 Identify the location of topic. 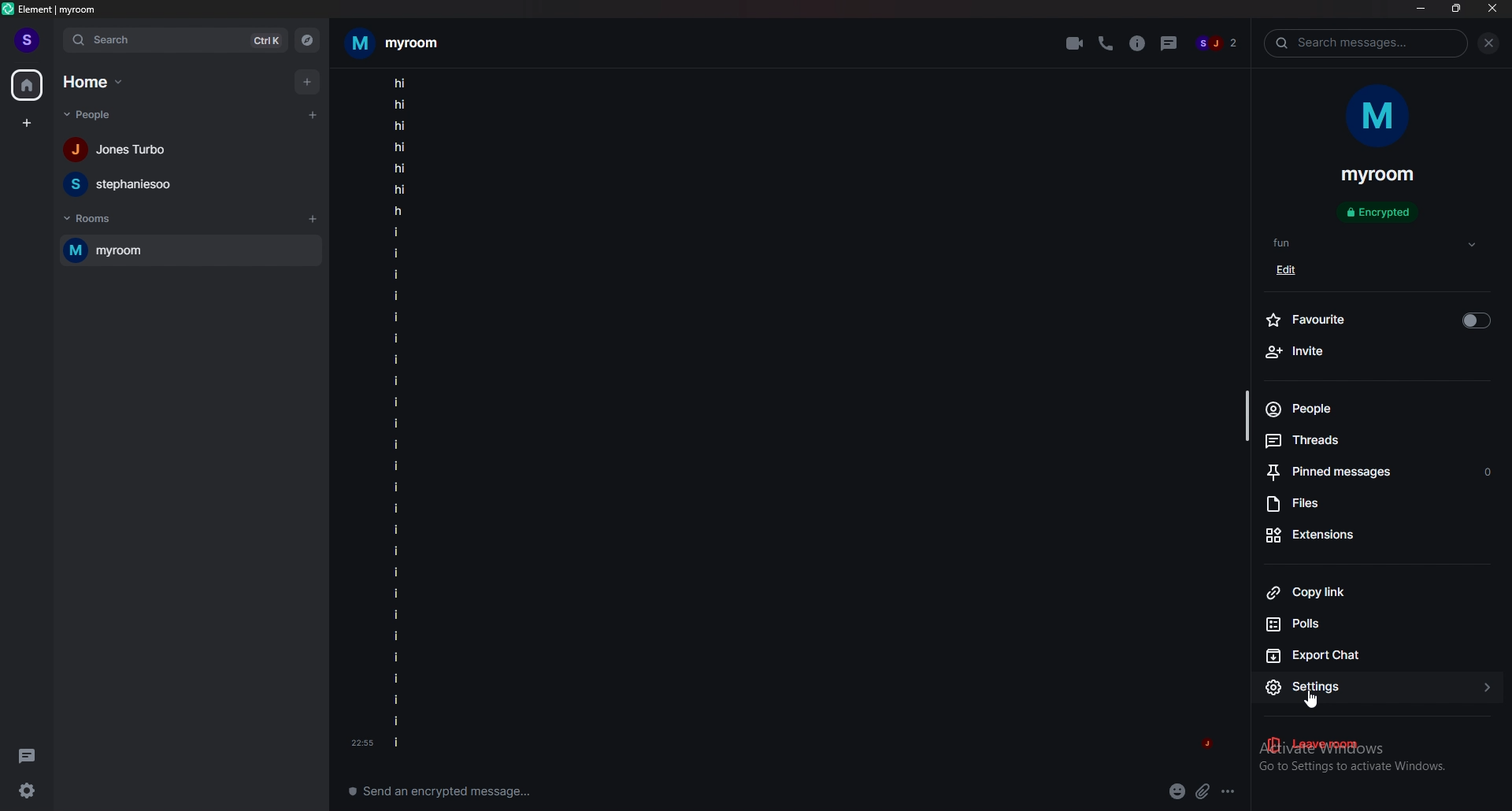
(1294, 243).